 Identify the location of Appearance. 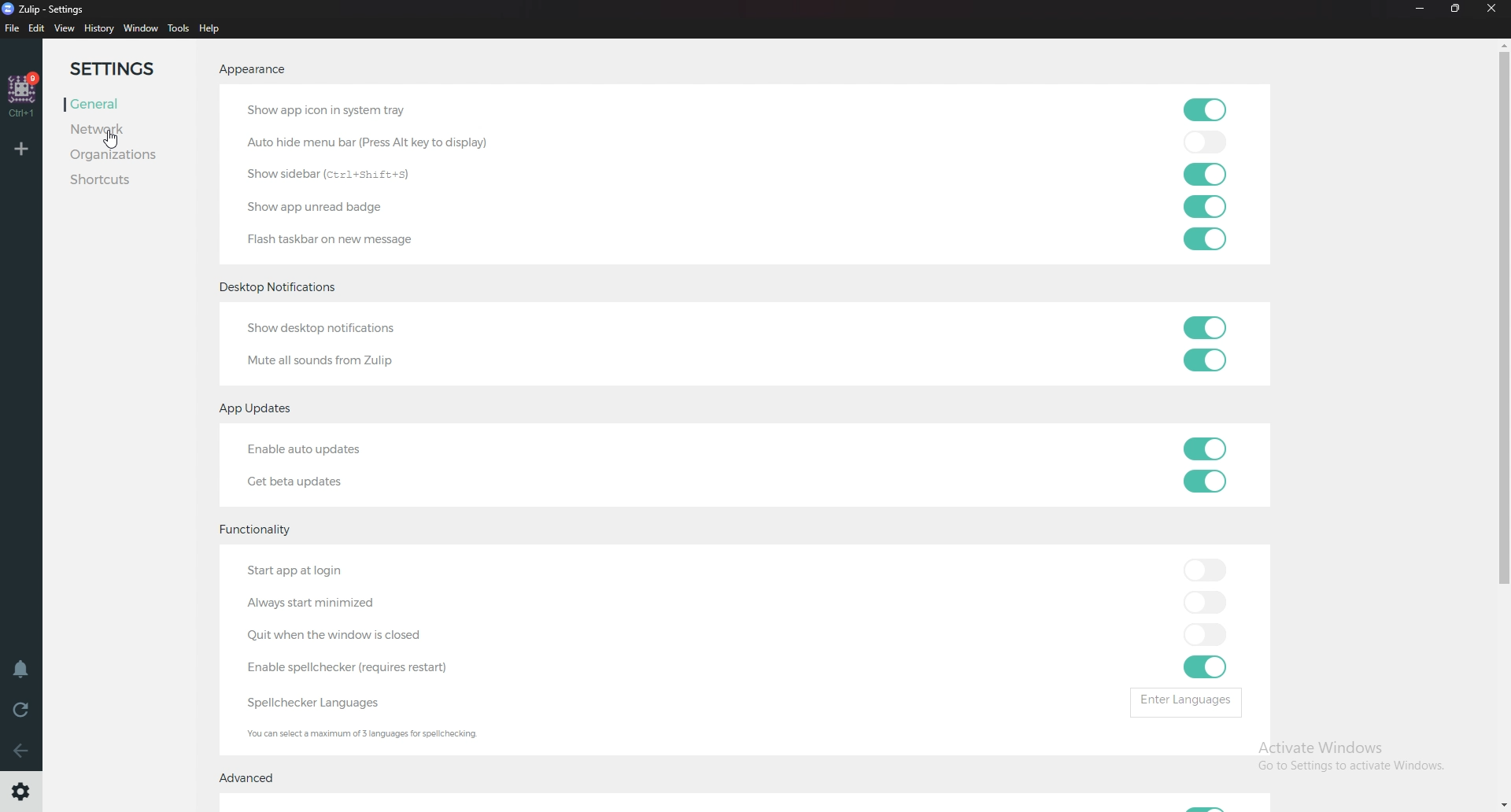
(253, 71).